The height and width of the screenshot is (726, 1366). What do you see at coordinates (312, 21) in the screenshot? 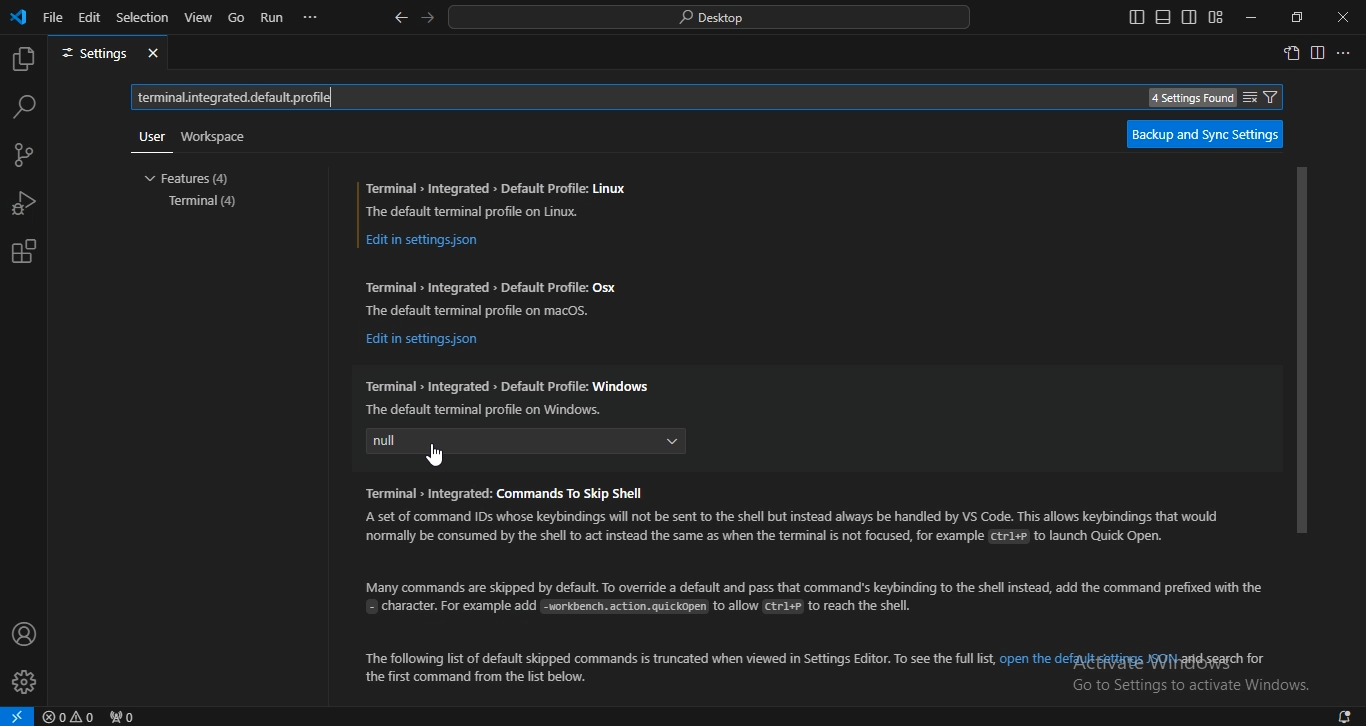
I see `...` at bounding box center [312, 21].